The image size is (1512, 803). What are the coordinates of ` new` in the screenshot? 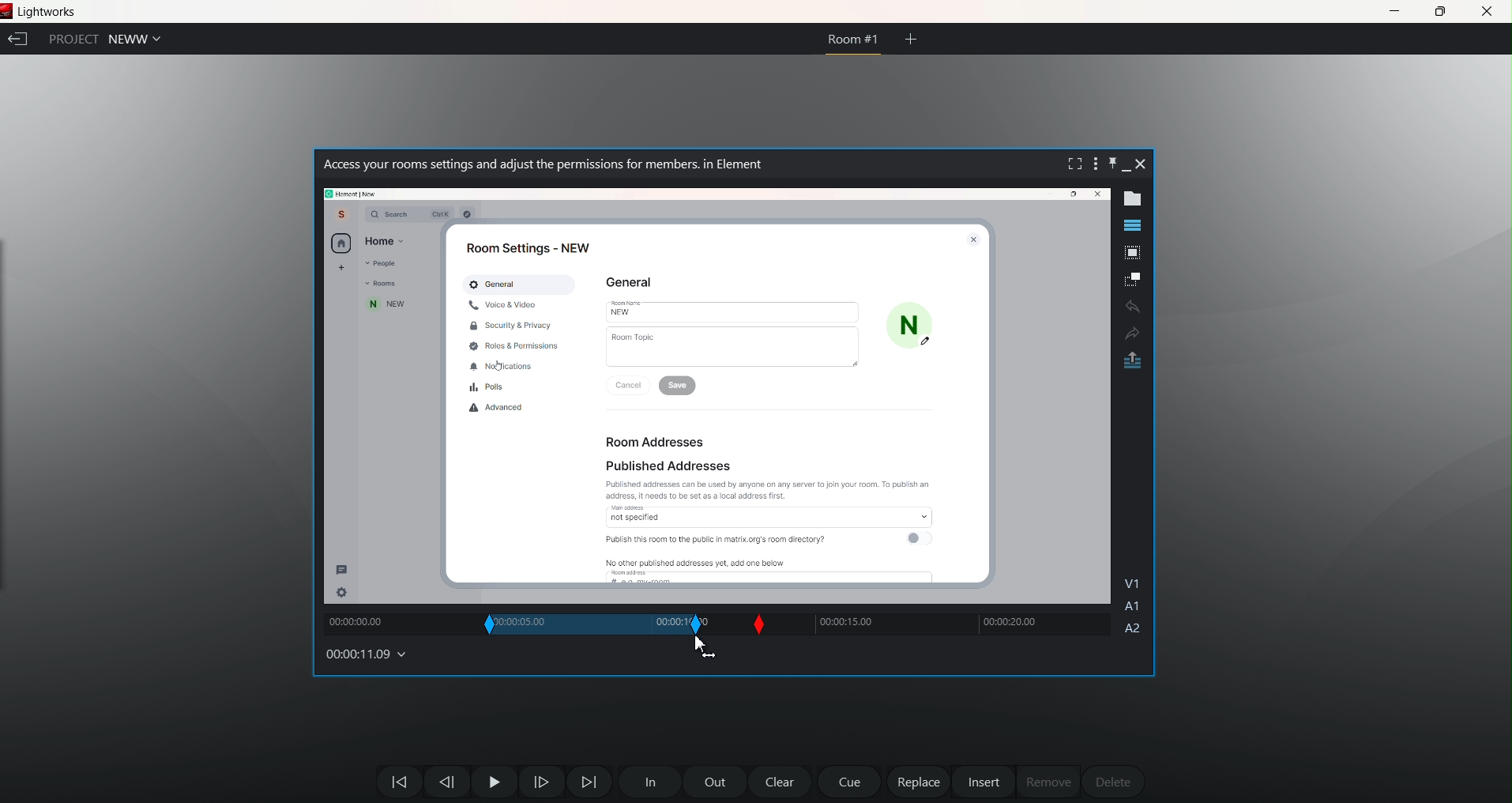 It's located at (387, 305).